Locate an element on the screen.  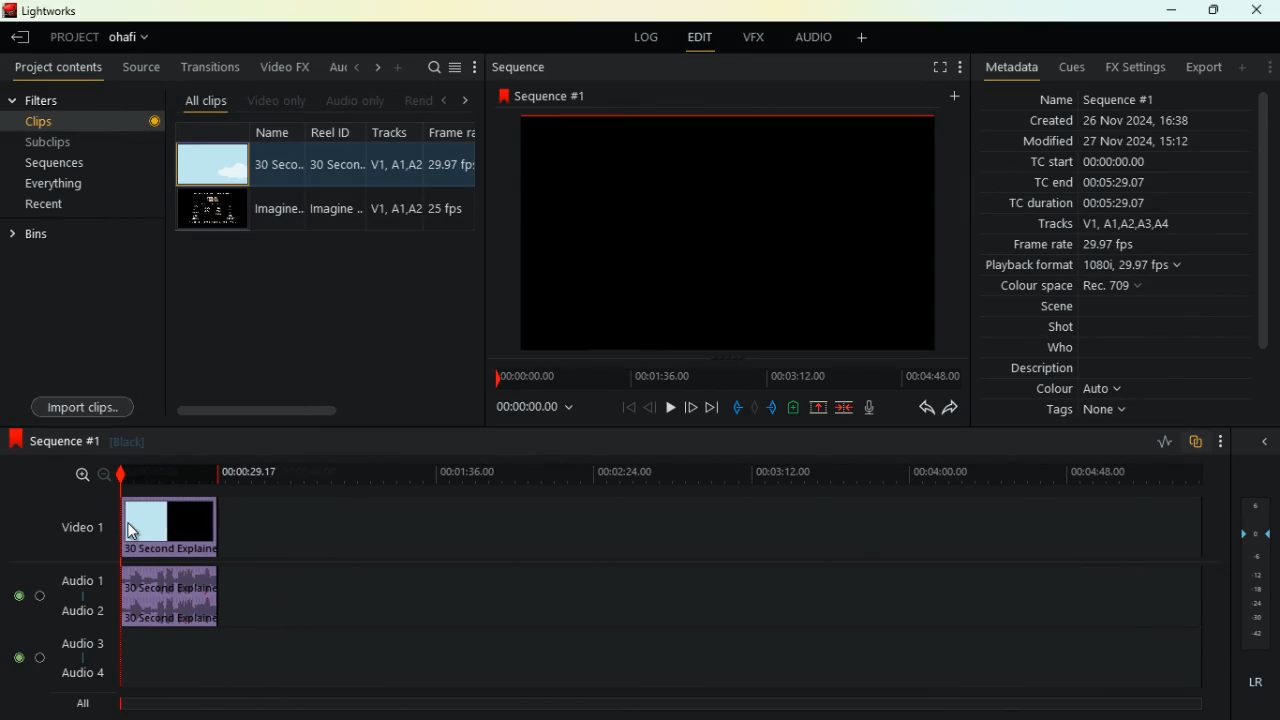
audio only is located at coordinates (357, 101).